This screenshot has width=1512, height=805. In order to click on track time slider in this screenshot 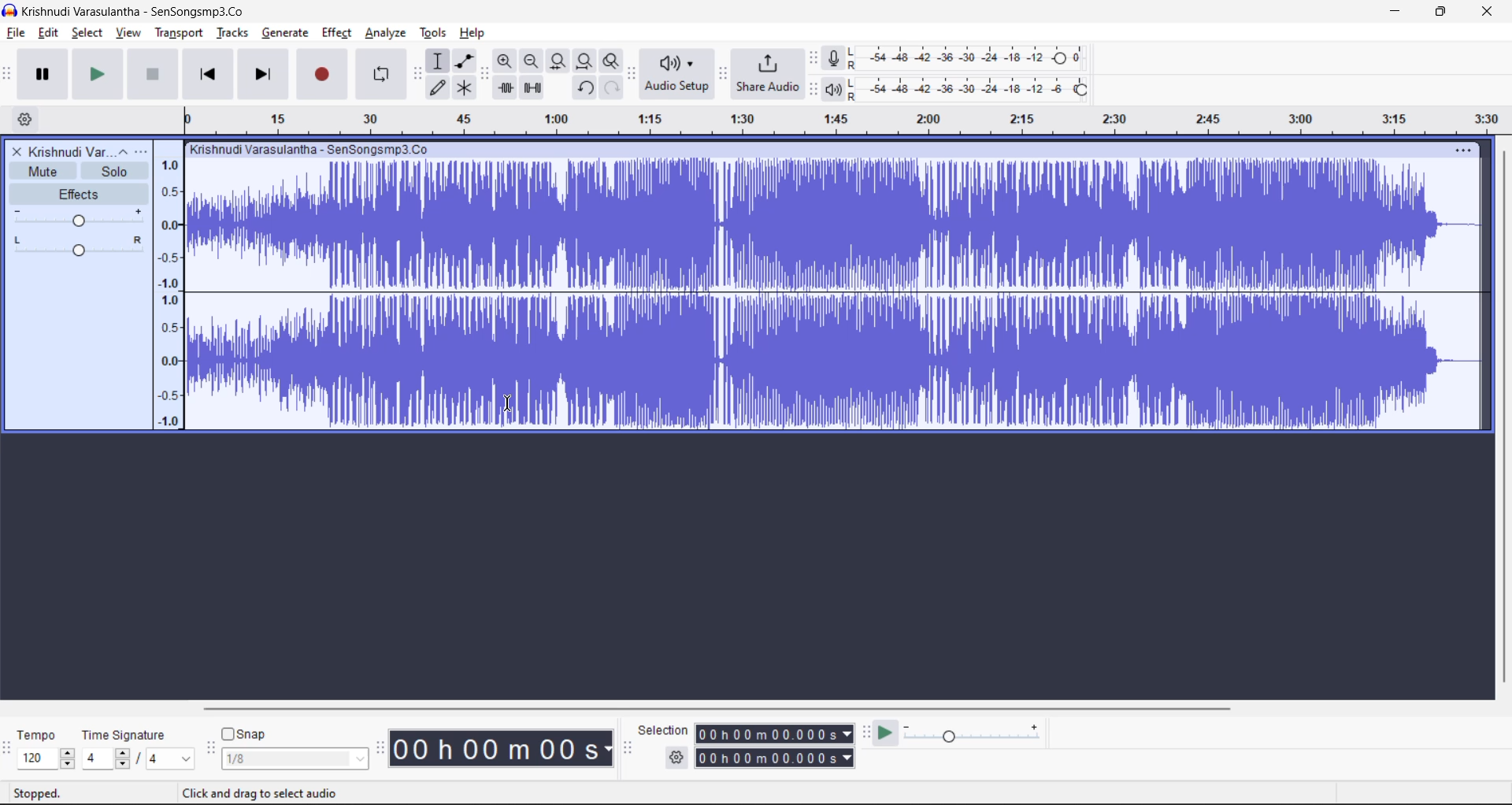, I will do `click(80, 218)`.